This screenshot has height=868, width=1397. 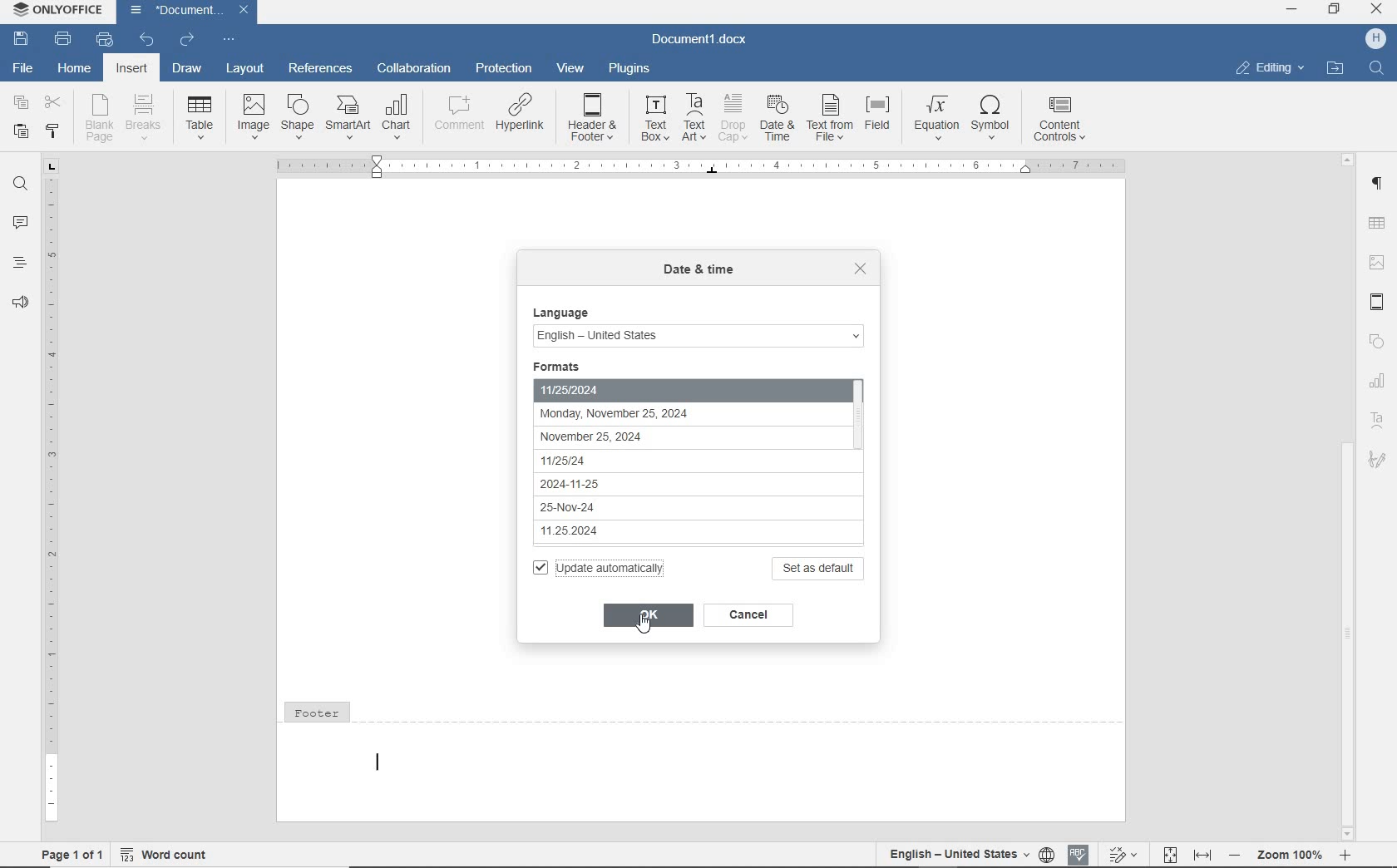 What do you see at coordinates (166, 856) in the screenshot?
I see `Word count` at bounding box center [166, 856].